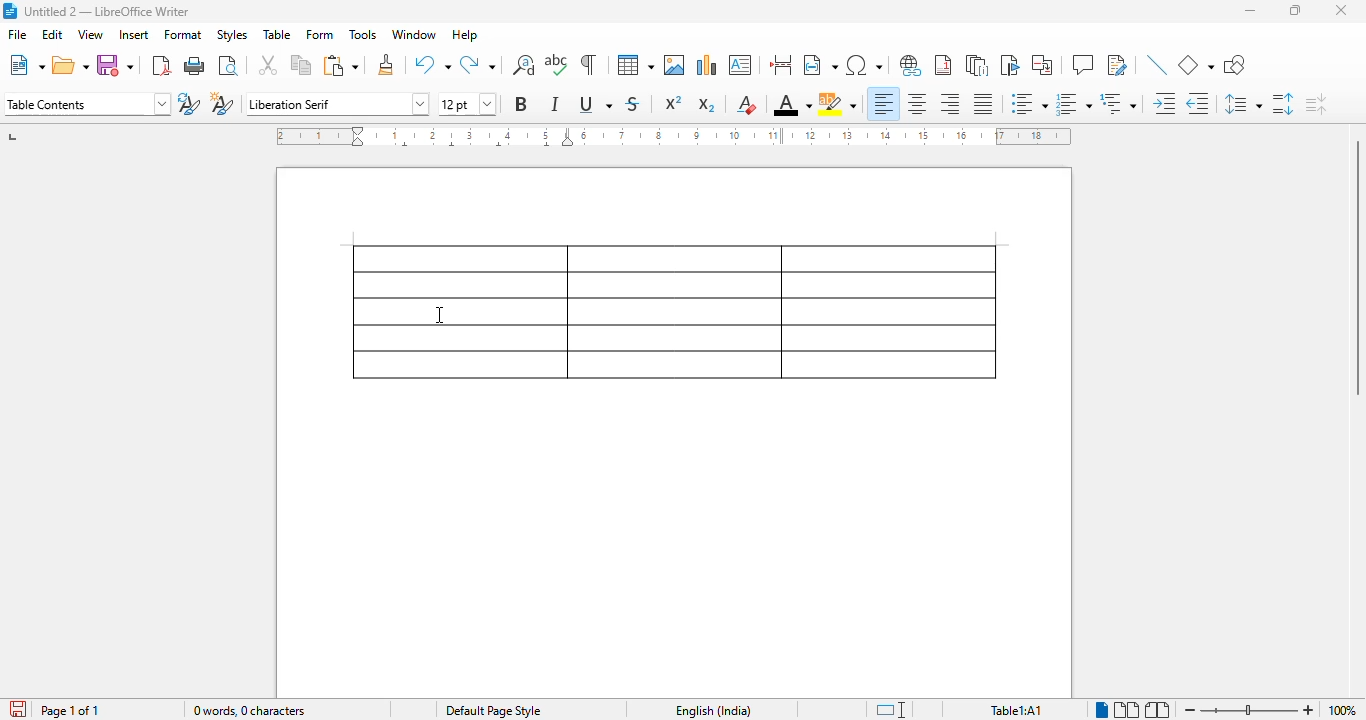  What do you see at coordinates (524, 64) in the screenshot?
I see `find and replace` at bounding box center [524, 64].